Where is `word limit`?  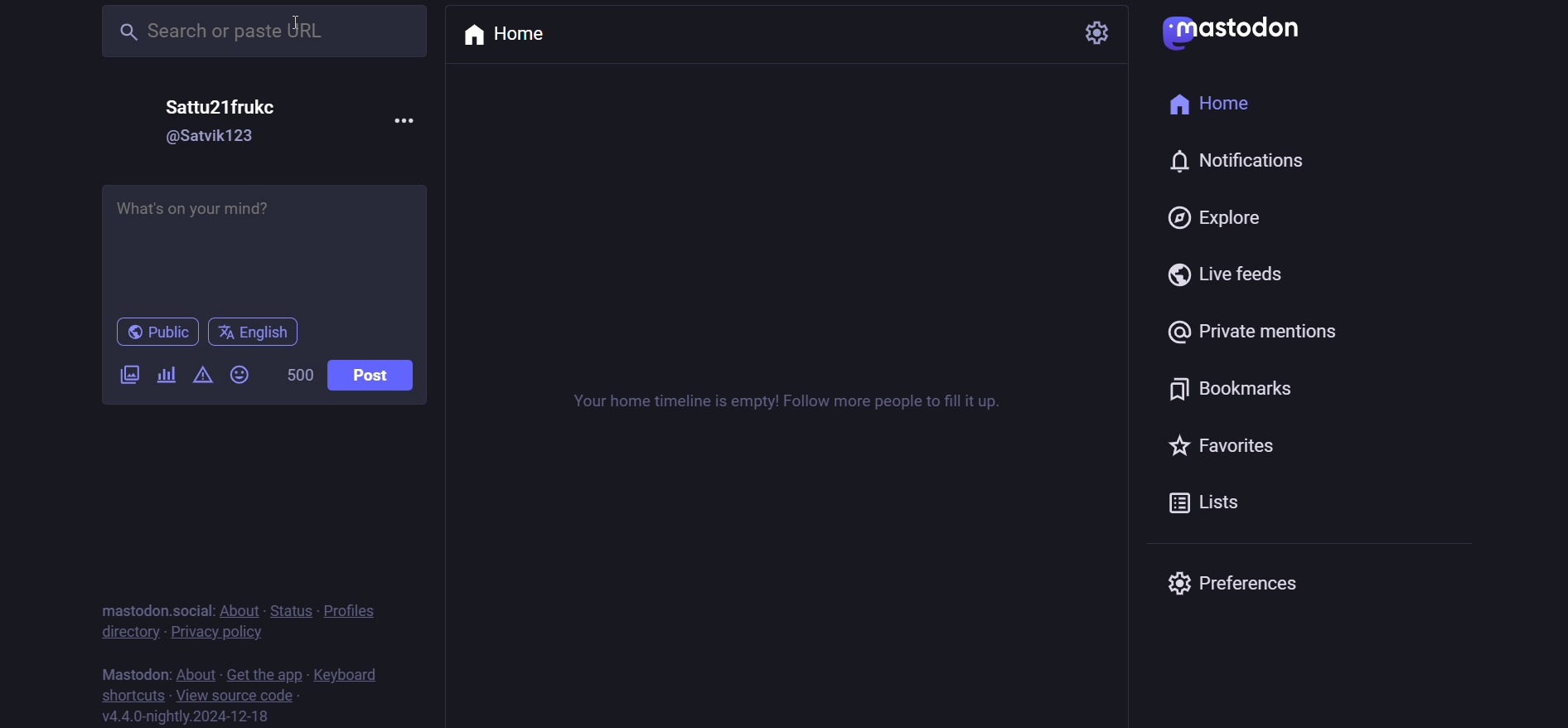 word limit is located at coordinates (298, 376).